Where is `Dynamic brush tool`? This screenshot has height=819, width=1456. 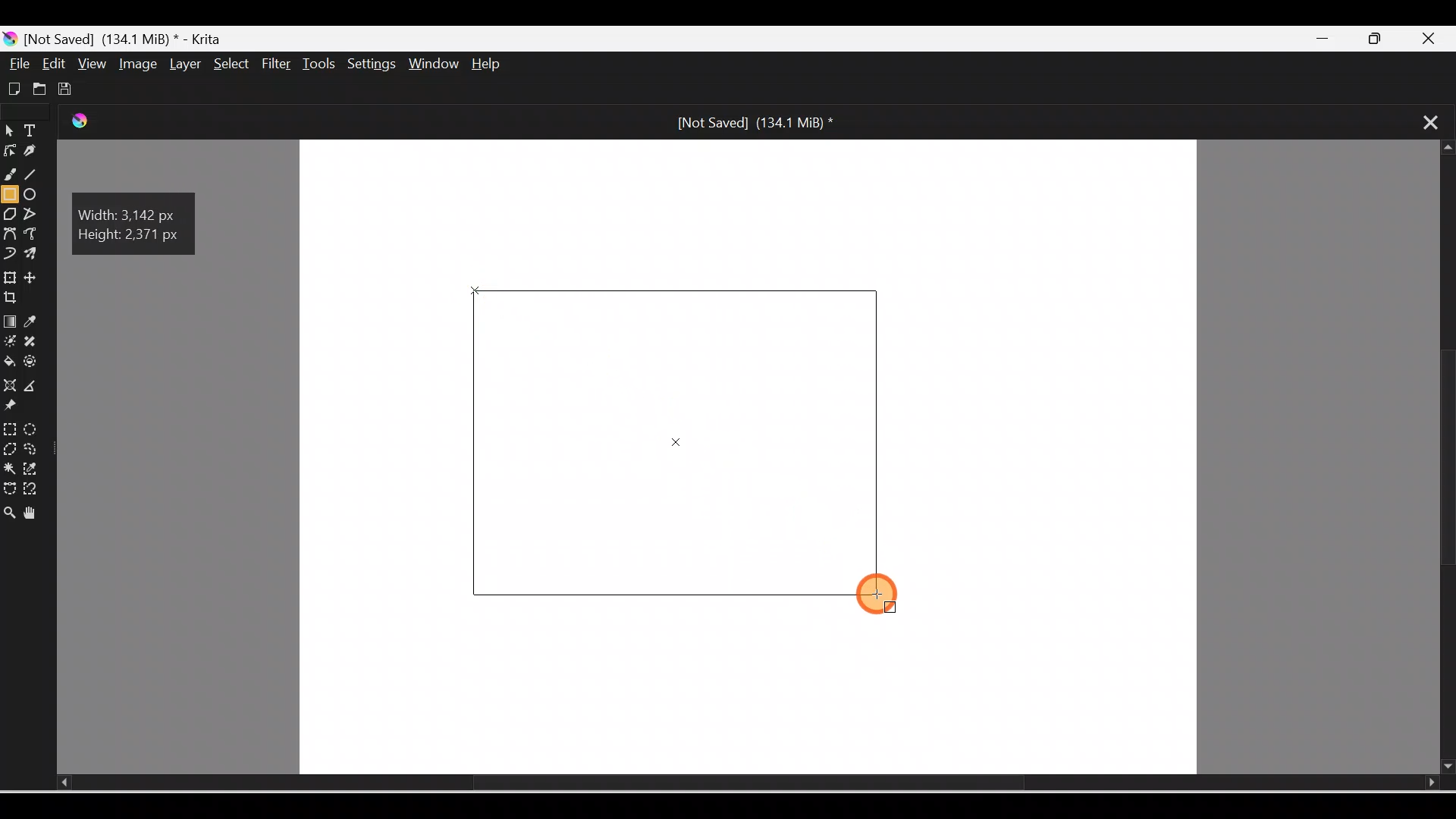 Dynamic brush tool is located at coordinates (9, 252).